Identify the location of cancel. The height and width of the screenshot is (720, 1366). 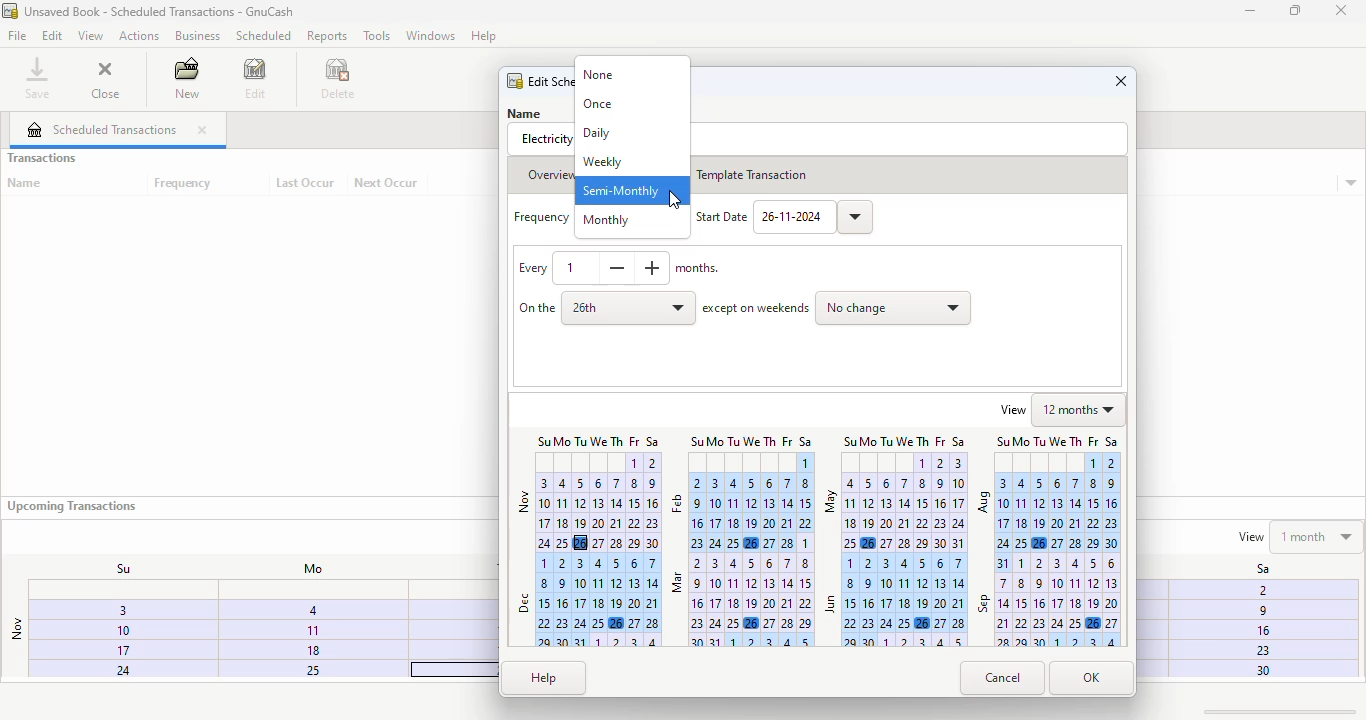
(1003, 679).